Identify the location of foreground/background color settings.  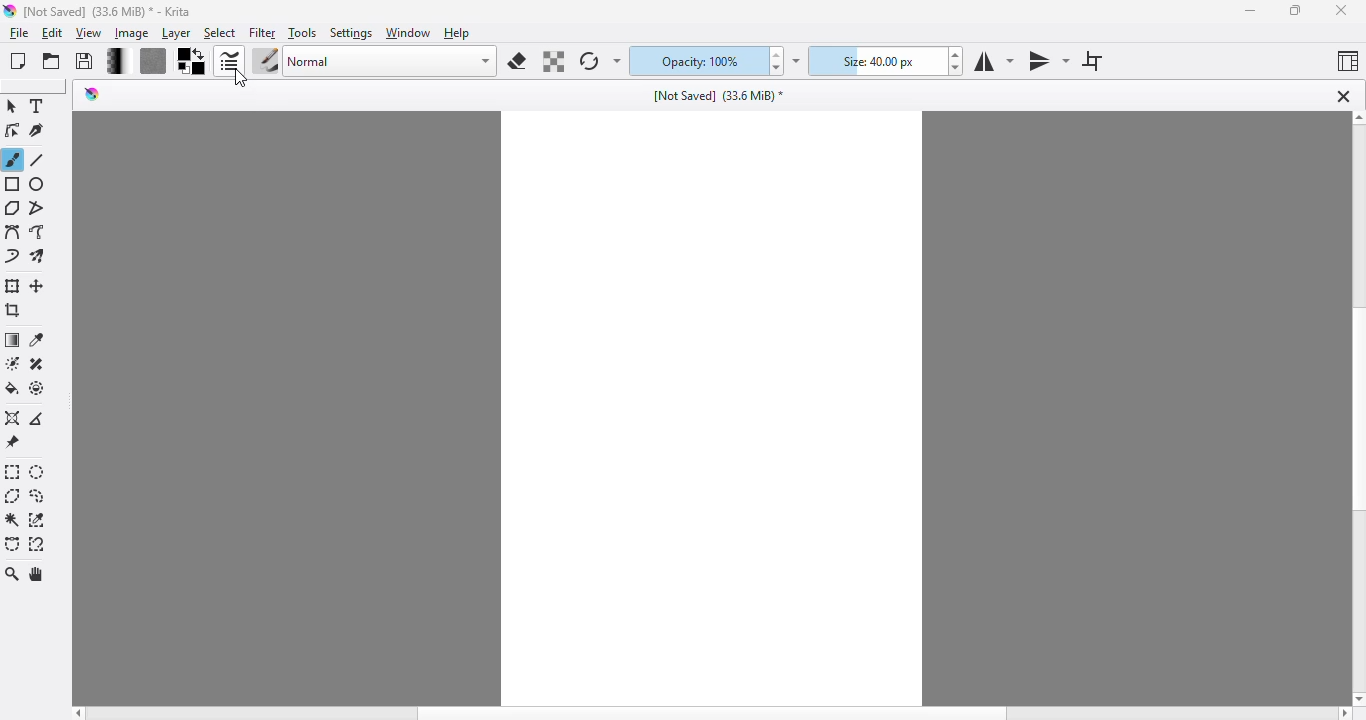
(192, 62).